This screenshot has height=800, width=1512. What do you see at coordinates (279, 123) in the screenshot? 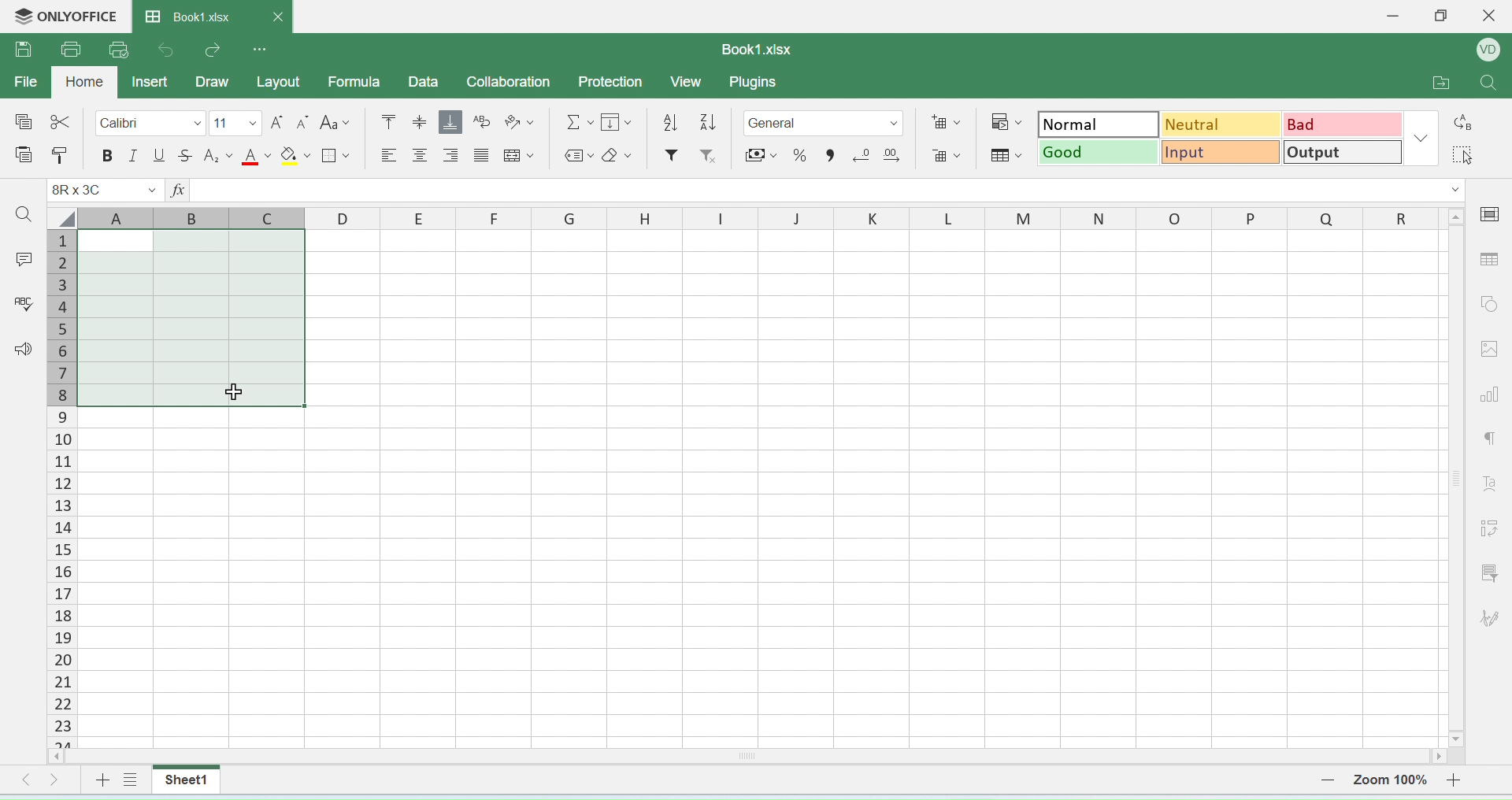
I see `increase font` at bounding box center [279, 123].